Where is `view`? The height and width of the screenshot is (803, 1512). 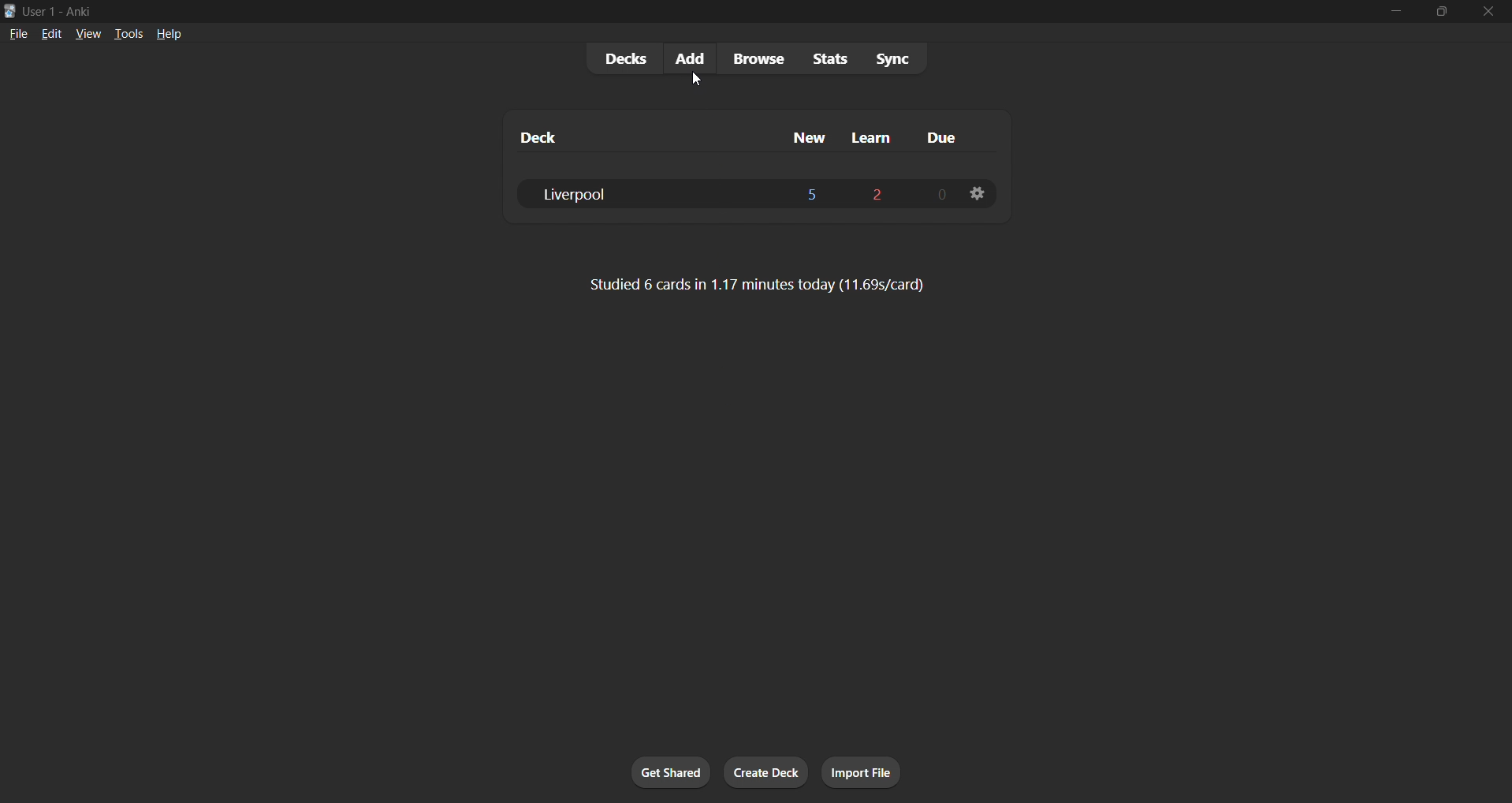 view is located at coordinates (88, 35).